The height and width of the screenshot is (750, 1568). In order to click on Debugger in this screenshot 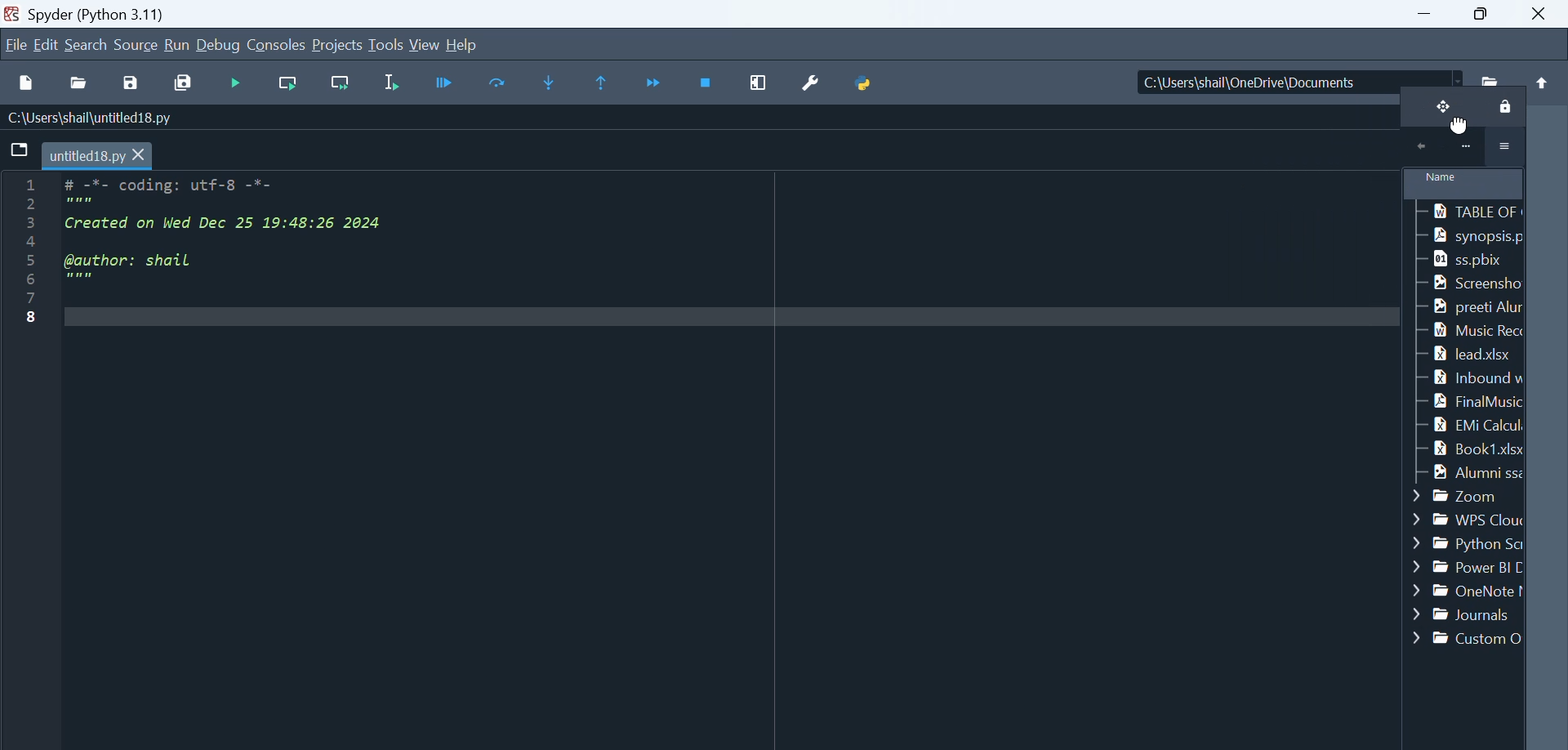, I will do `click(448, 83)`.